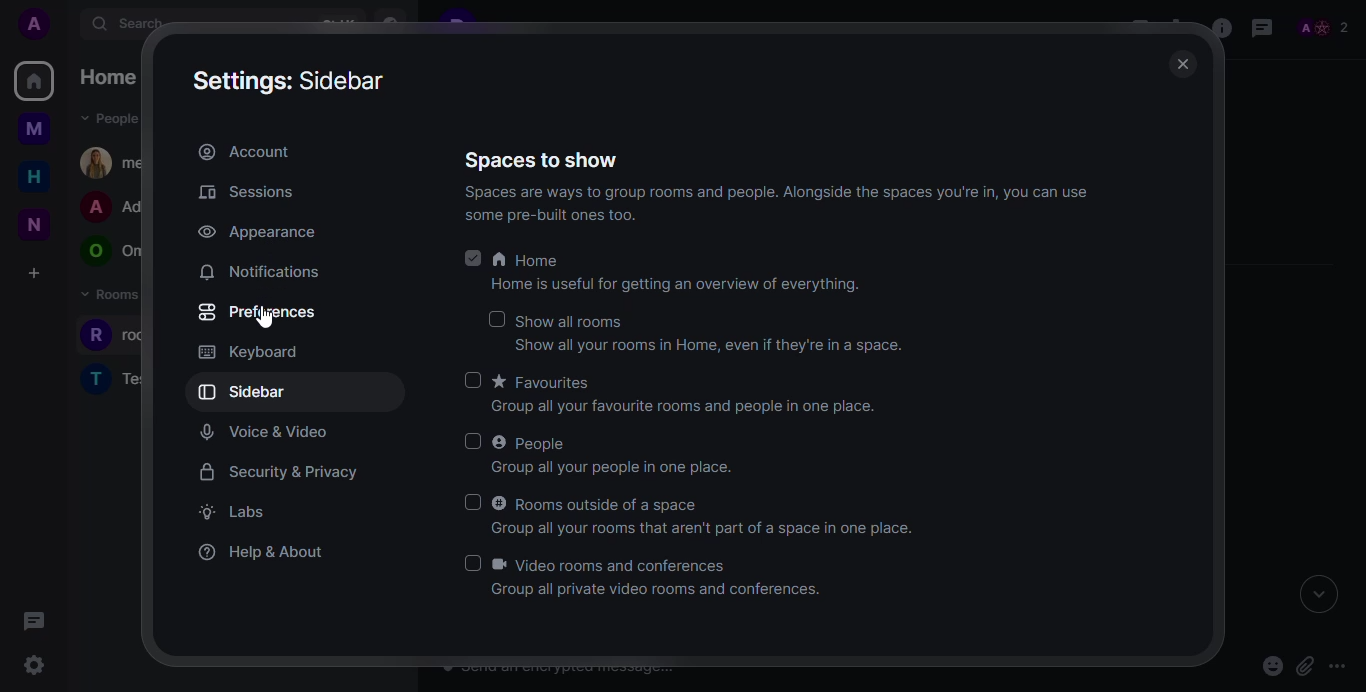 The image size is (1366, 692). I want to click on home, so click(113, 77).